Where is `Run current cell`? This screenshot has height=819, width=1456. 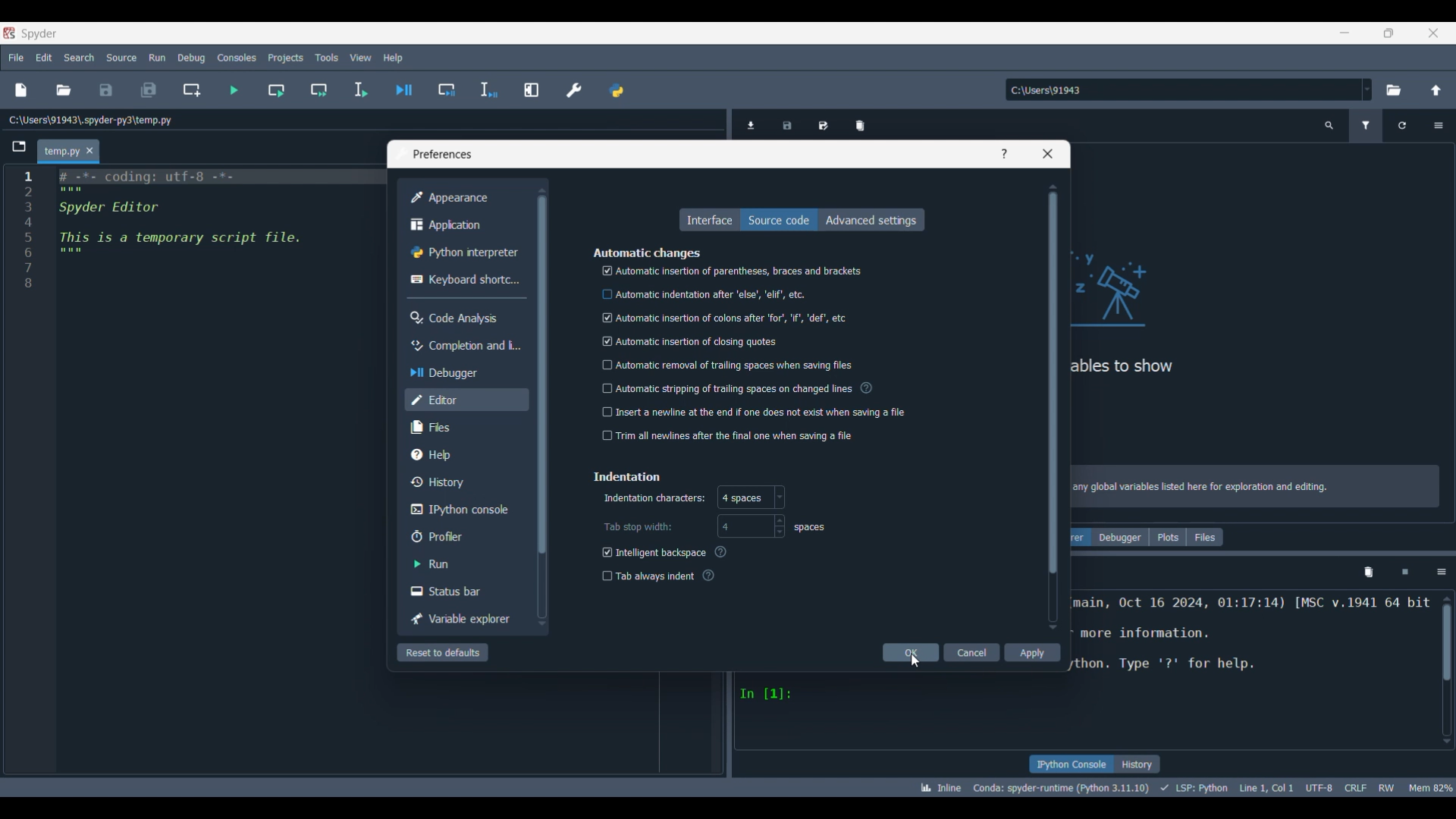
Run current cell is located at coordinates (277, 89).